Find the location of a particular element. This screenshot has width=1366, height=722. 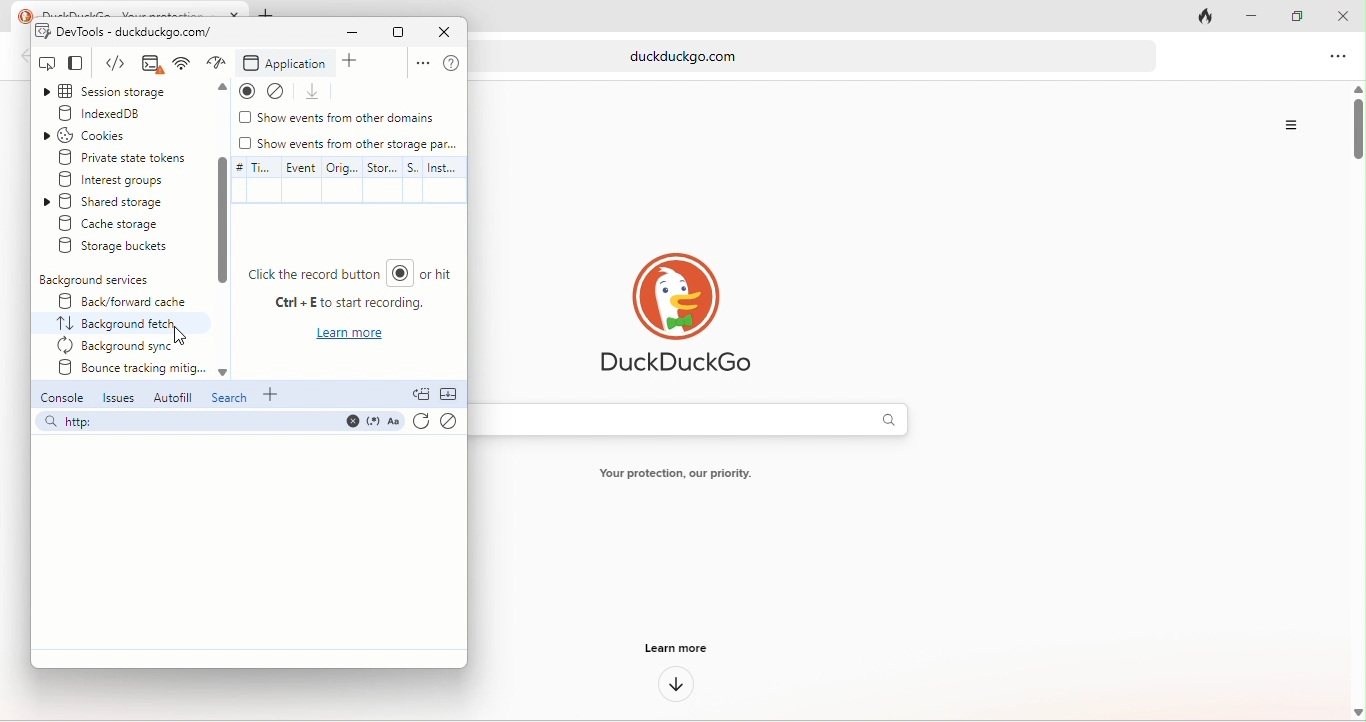

dev tools is located at coordinates (126, 32).